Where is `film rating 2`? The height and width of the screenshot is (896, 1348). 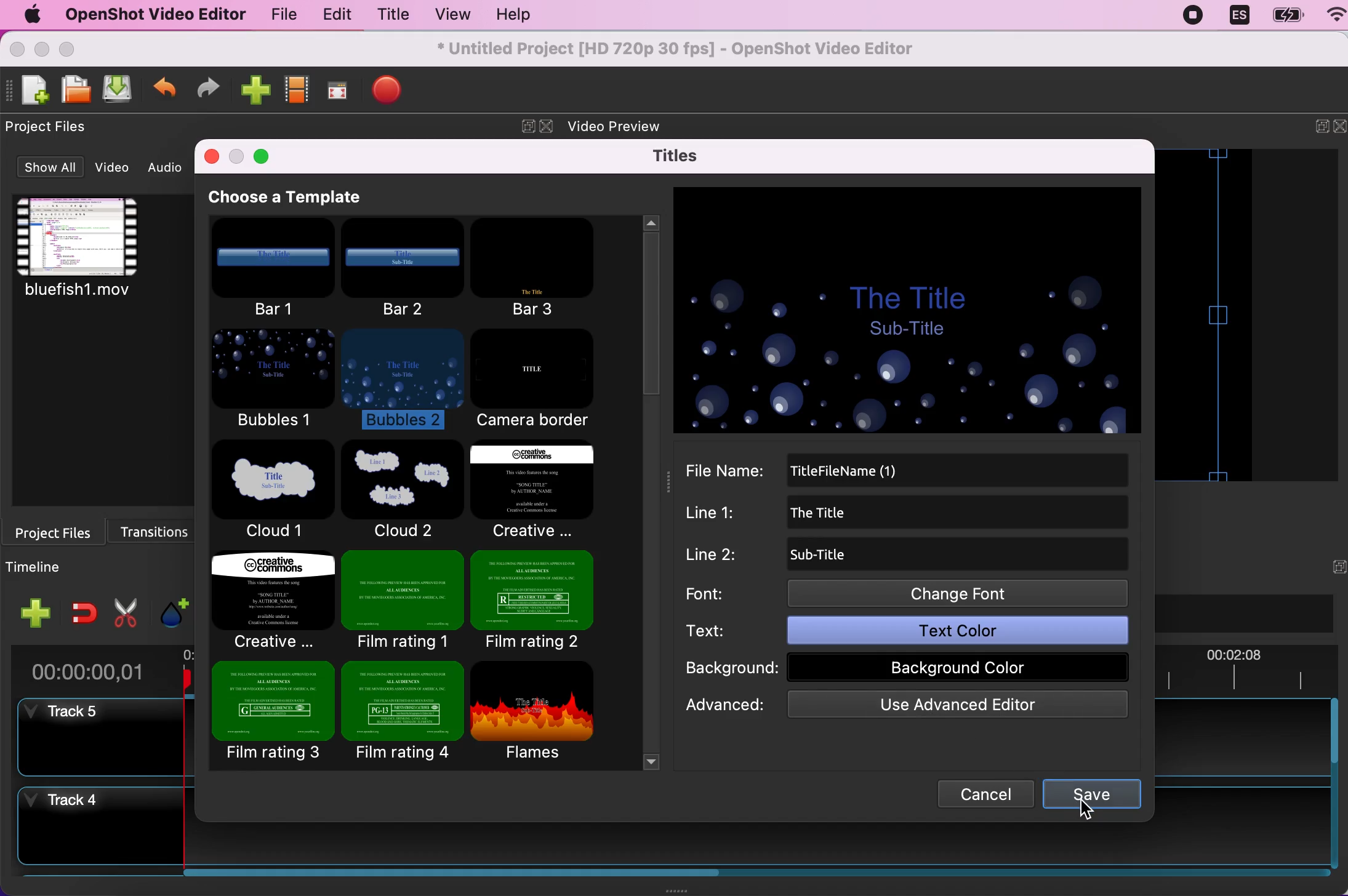 film rating 2 is located at coordinates (533, 599).